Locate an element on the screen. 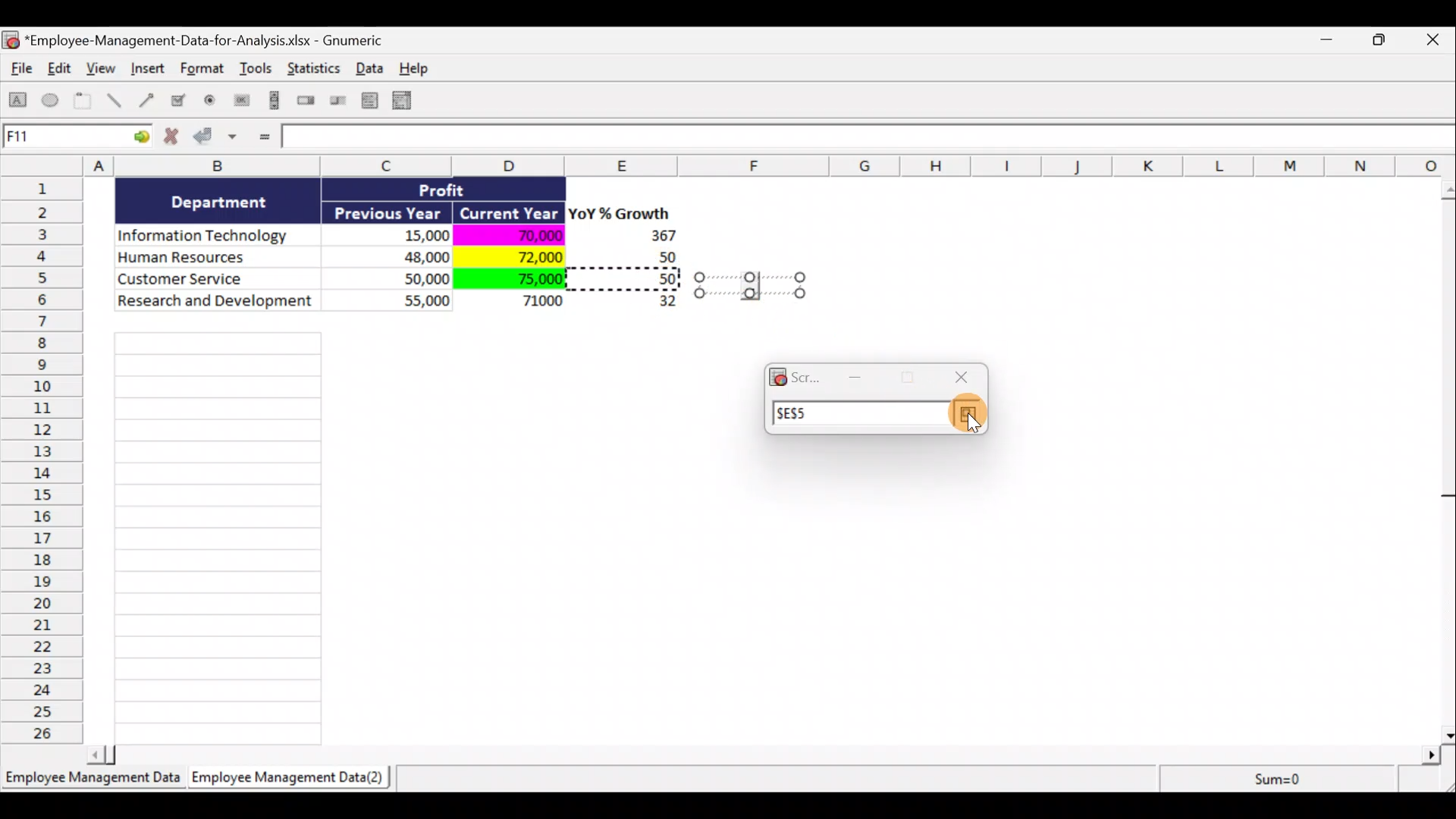 The image size is (1456, 819). Format is located at coordinates (204, 71).